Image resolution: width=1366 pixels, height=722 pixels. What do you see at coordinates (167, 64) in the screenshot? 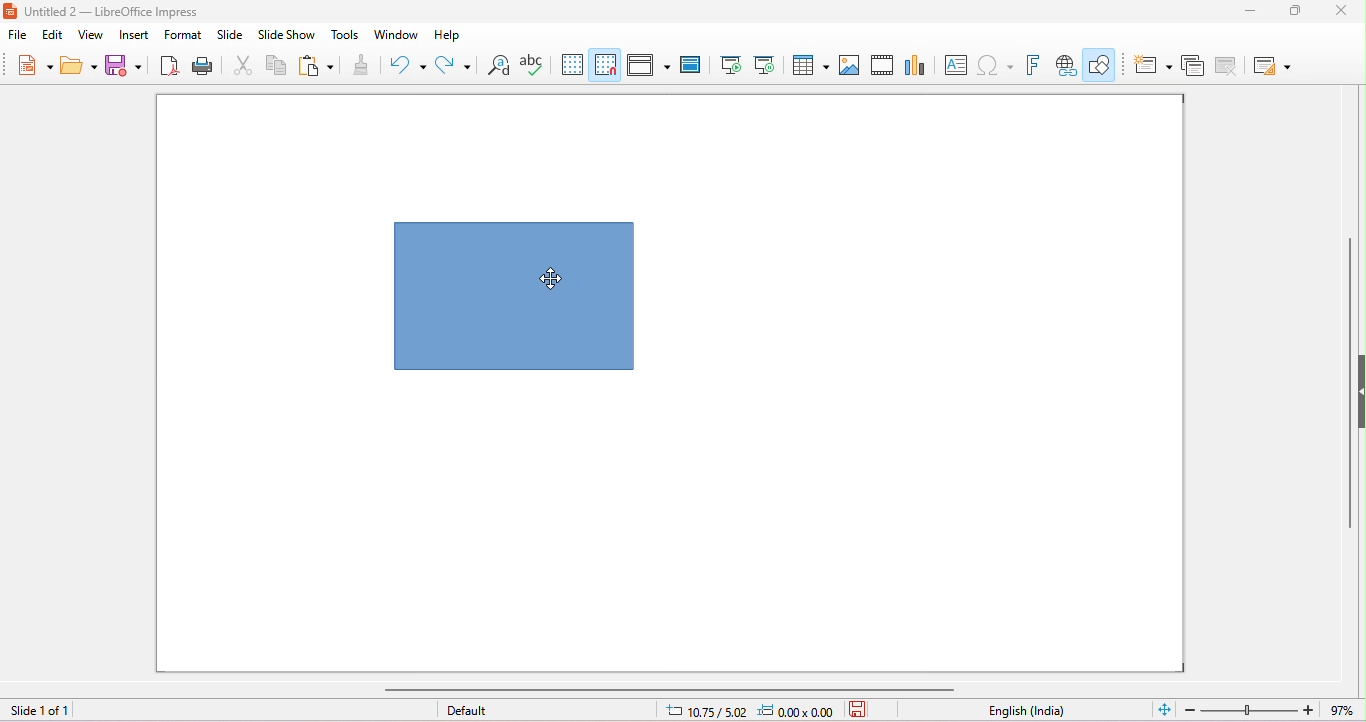
I see `export pdf` at bounding box center [167, 64].